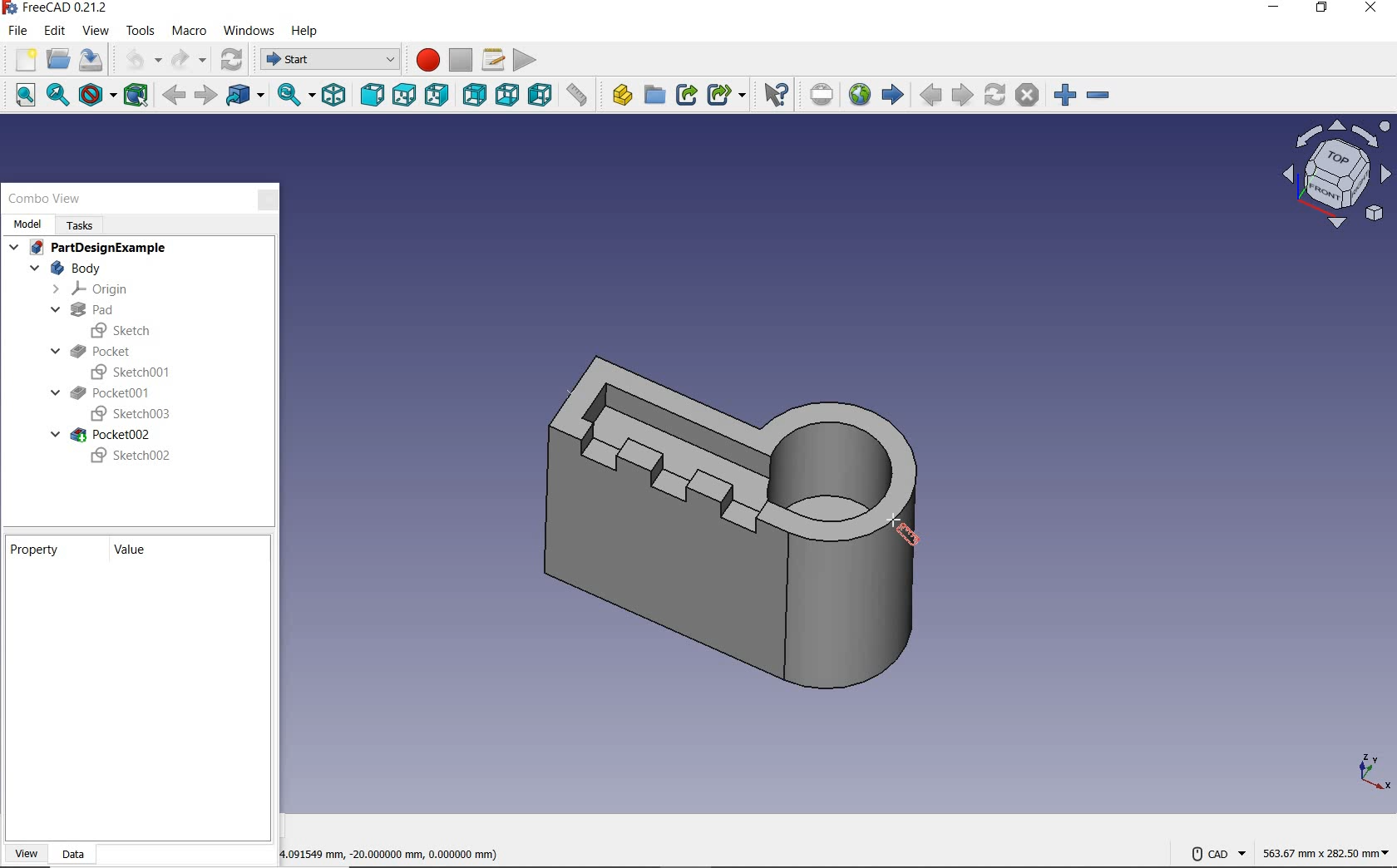  Describe the element at coordinates (40, 549) in the screenshot. I see `PROPERTY` at that location.